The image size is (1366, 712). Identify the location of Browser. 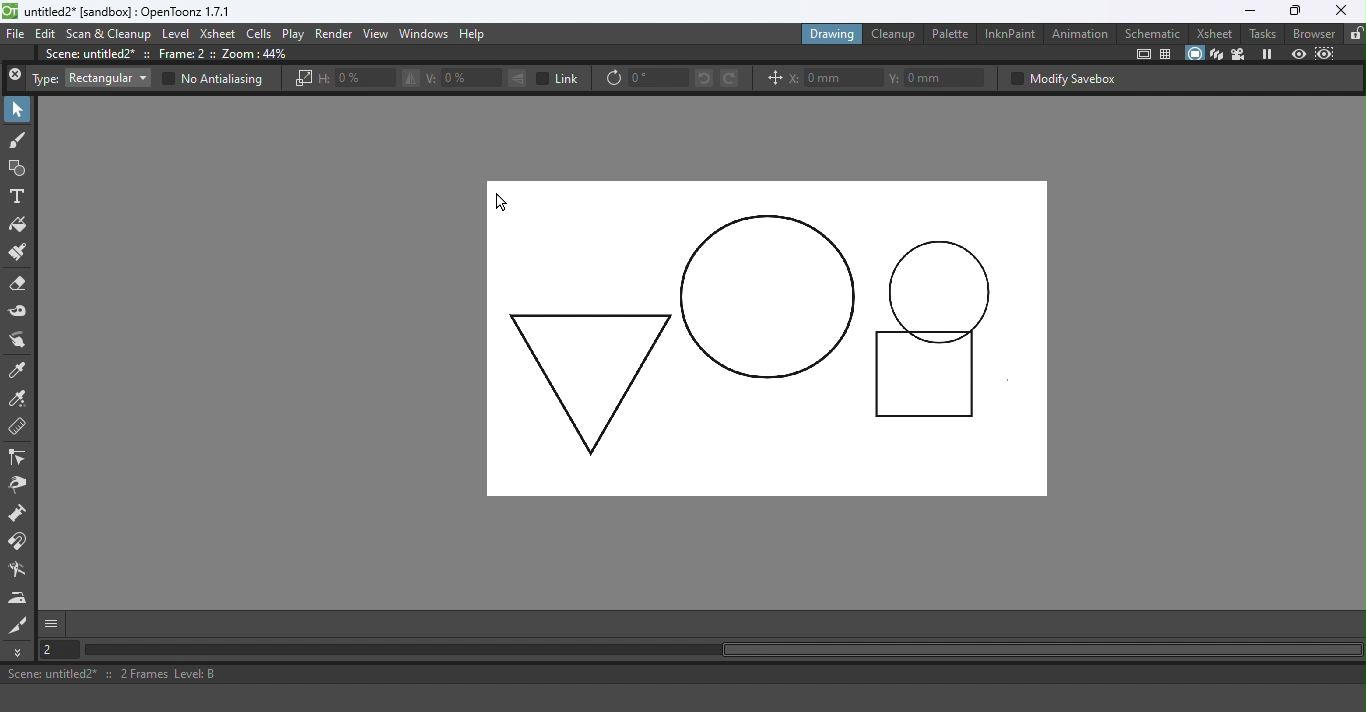
(1312, 33).